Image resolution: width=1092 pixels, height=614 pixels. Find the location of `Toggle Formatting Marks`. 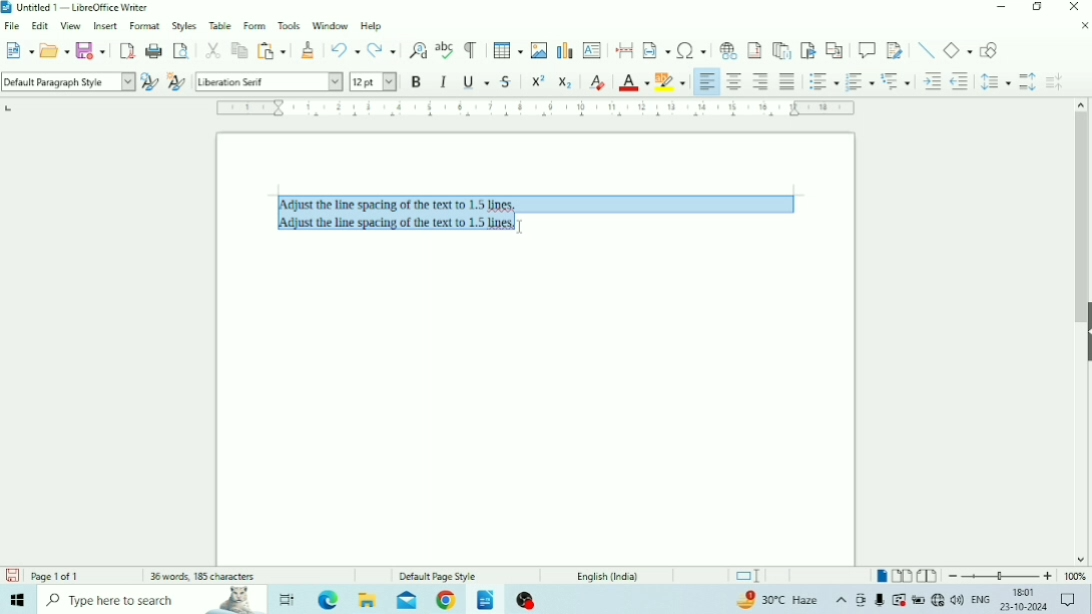

Toggle Formatting Marks is located at coordinates (472, 50).